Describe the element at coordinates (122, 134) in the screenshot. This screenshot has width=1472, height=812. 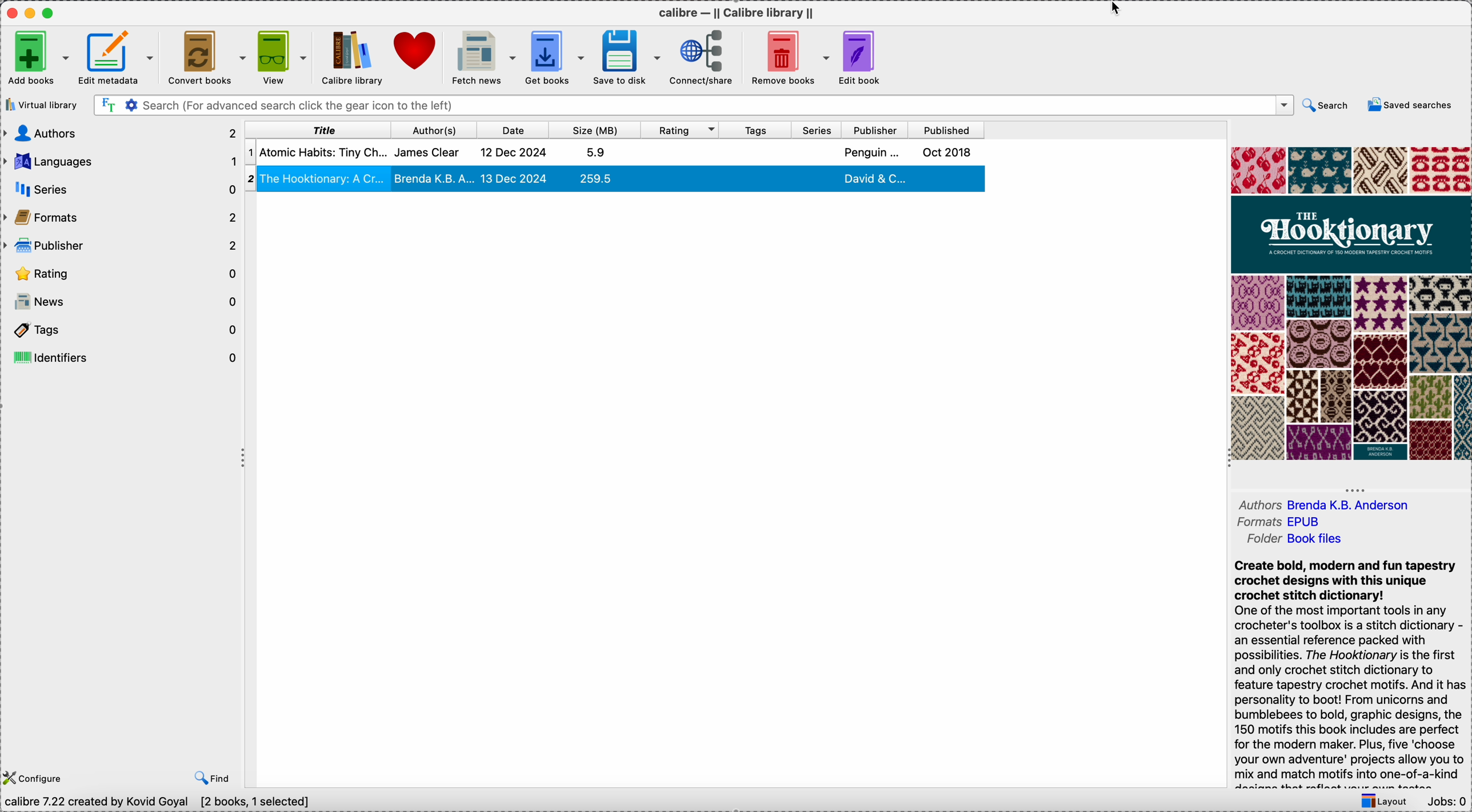
I see `authors` at that location.